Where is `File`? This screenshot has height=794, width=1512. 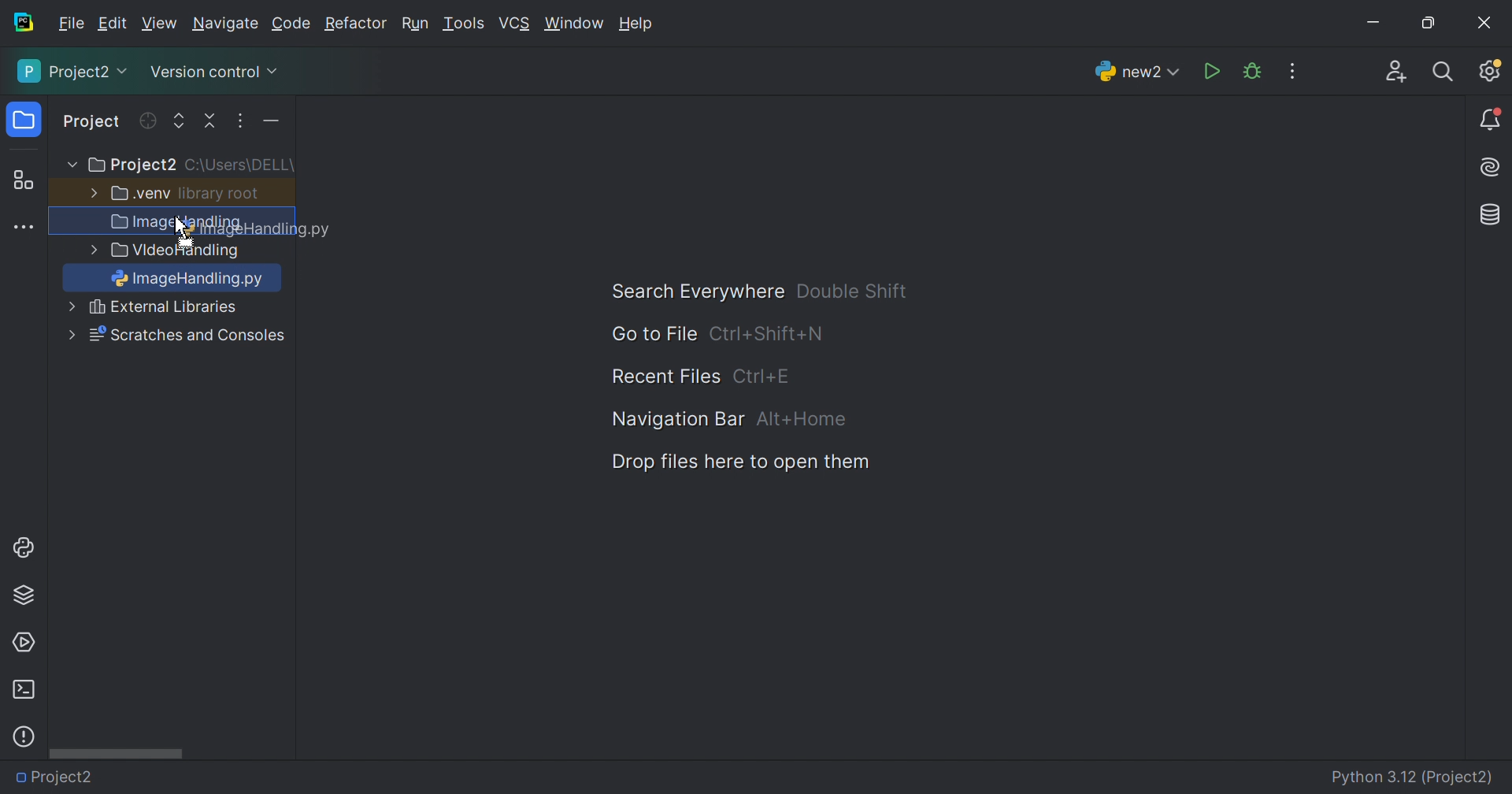
File is located at coordinates (72, 24).